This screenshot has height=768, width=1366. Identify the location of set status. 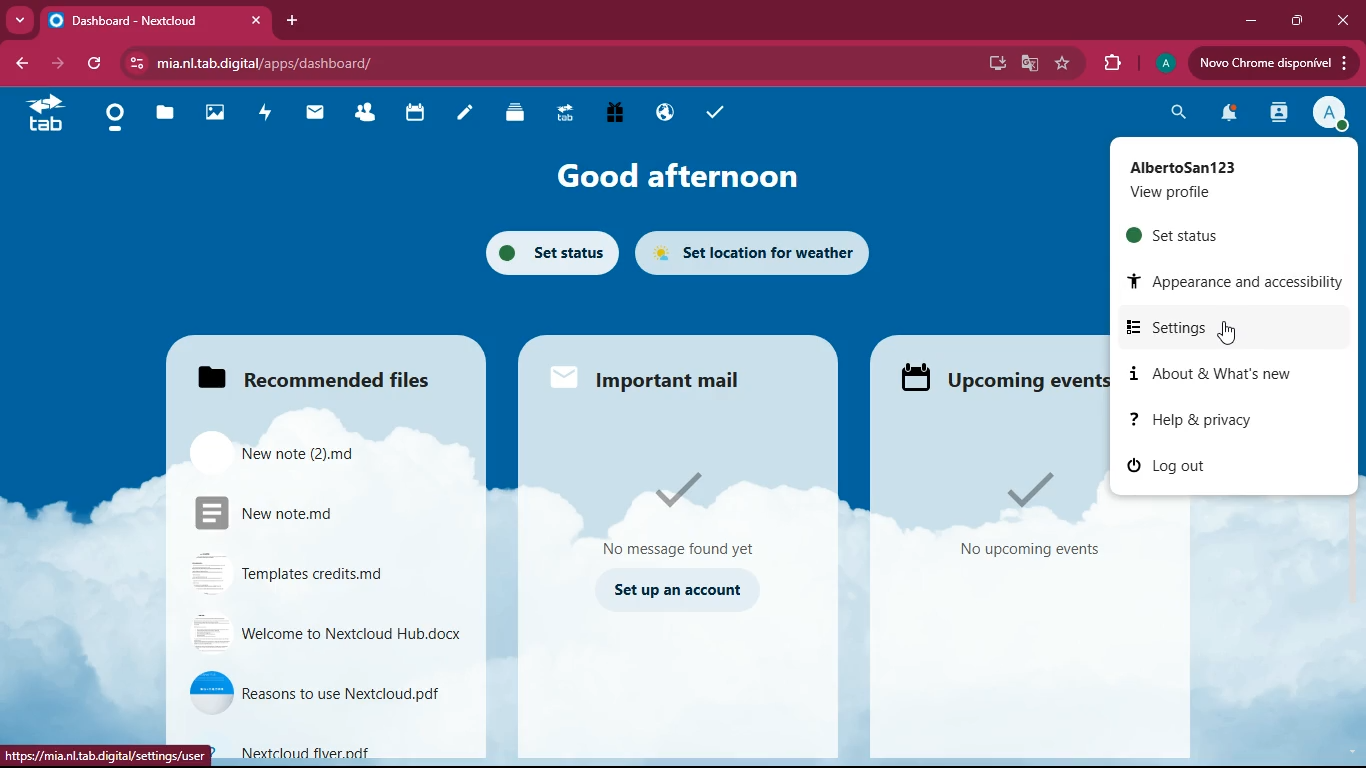
(544, 255).